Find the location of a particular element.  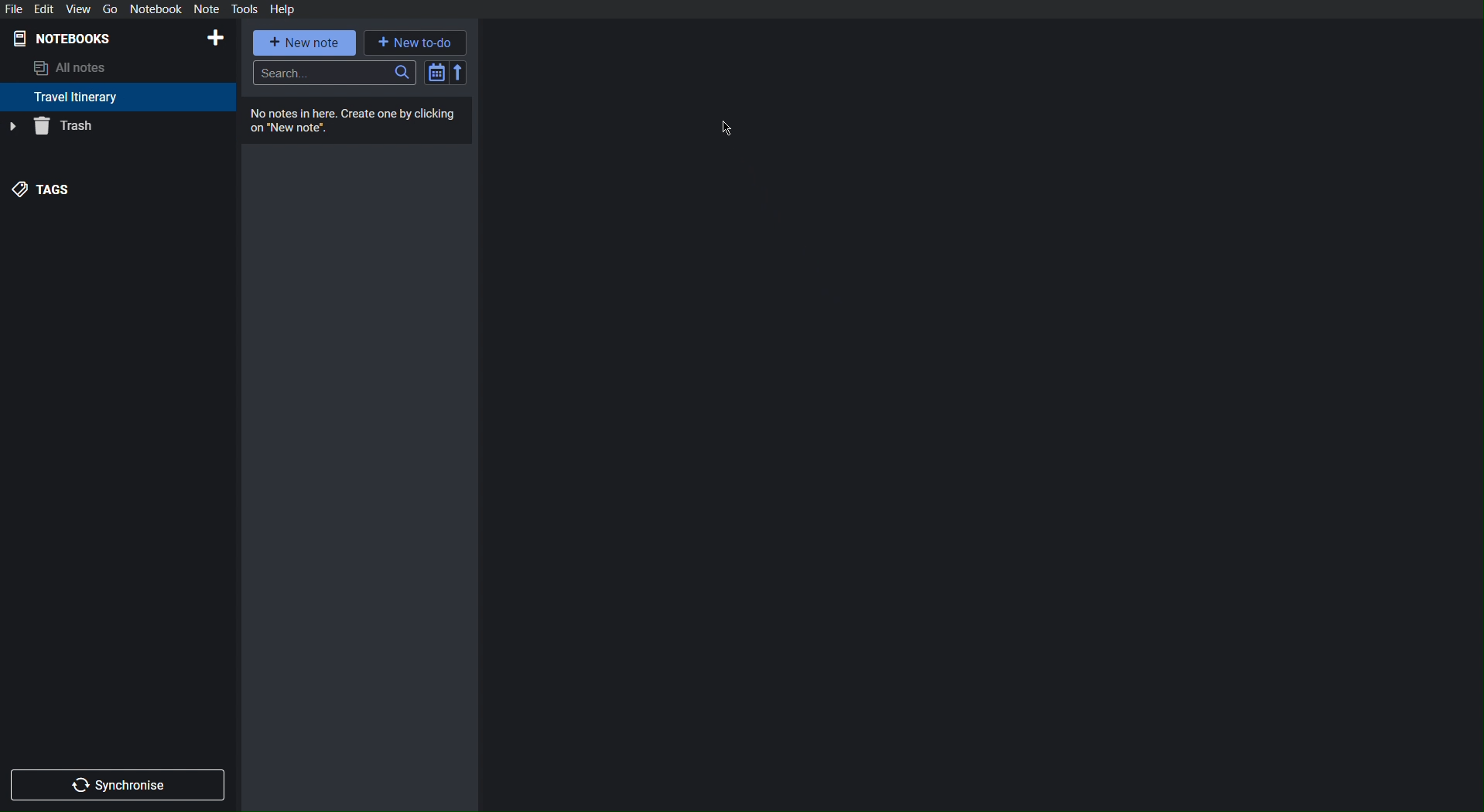

Not is located at coordinates (207, 9).